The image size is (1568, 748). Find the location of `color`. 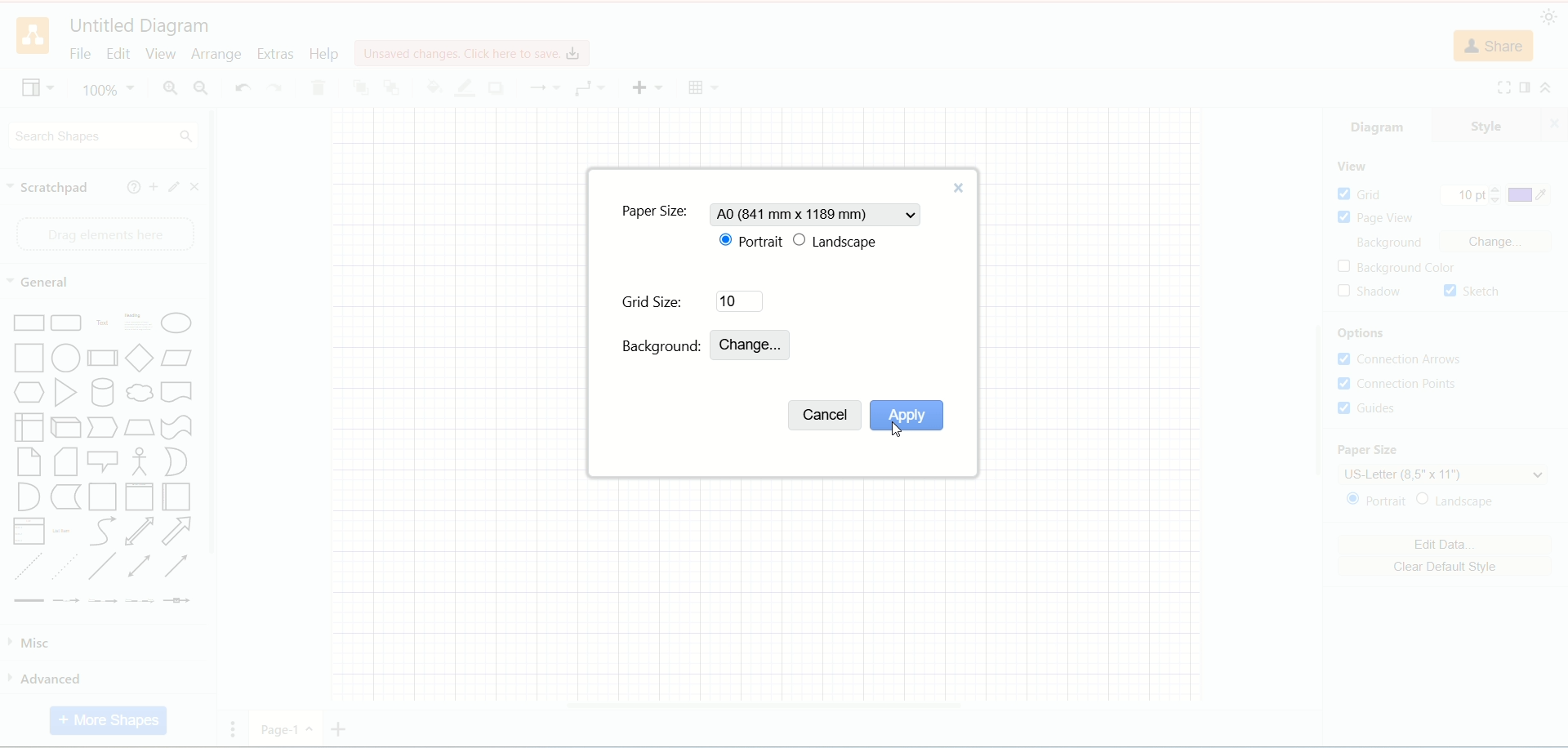

color is located at coordinates (1530, 196).